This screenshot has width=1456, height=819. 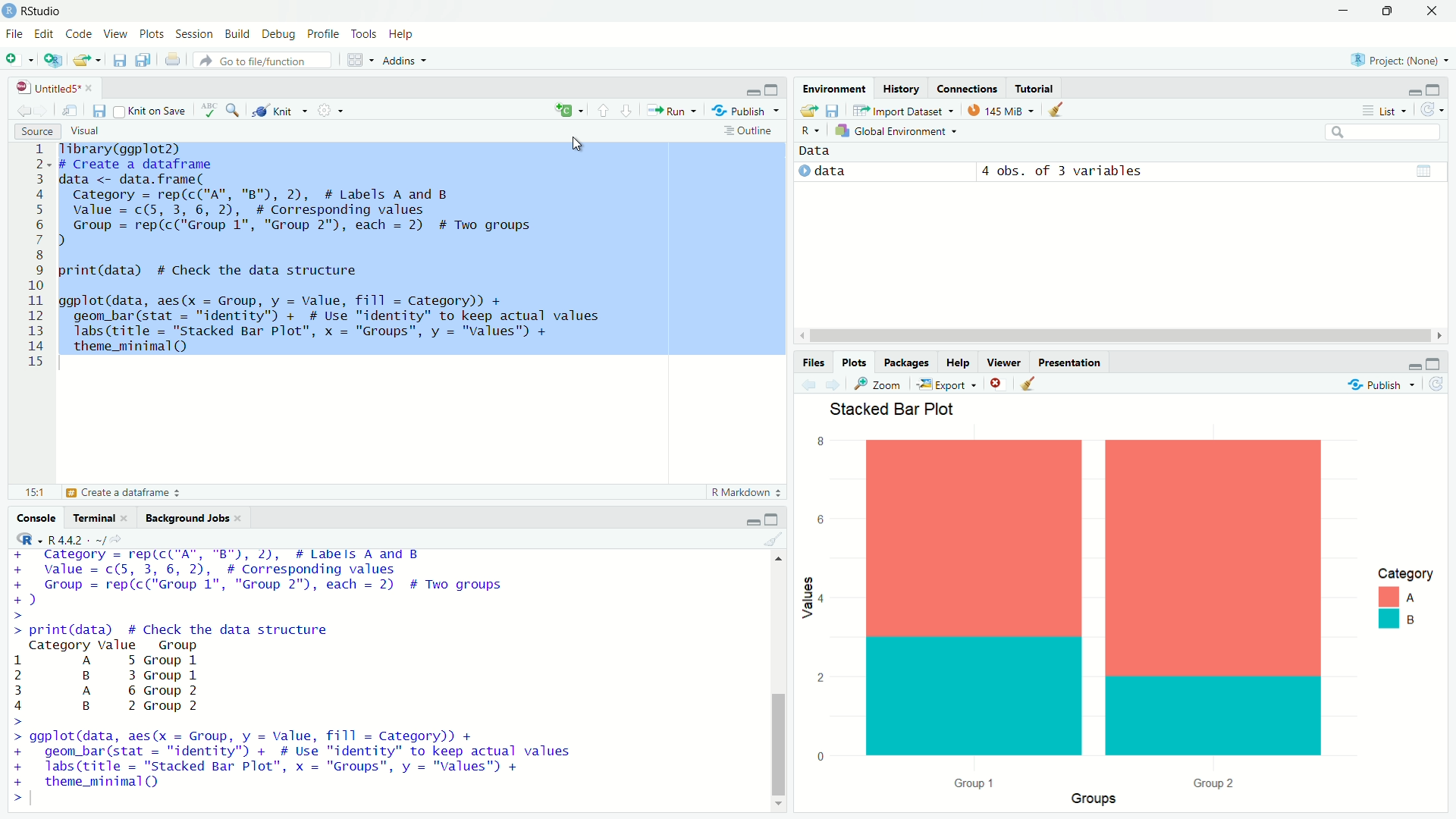 What do you see at coordinates (101, 516) in the screenshot?
I see `Terminal` at bounding box center [101, 516].